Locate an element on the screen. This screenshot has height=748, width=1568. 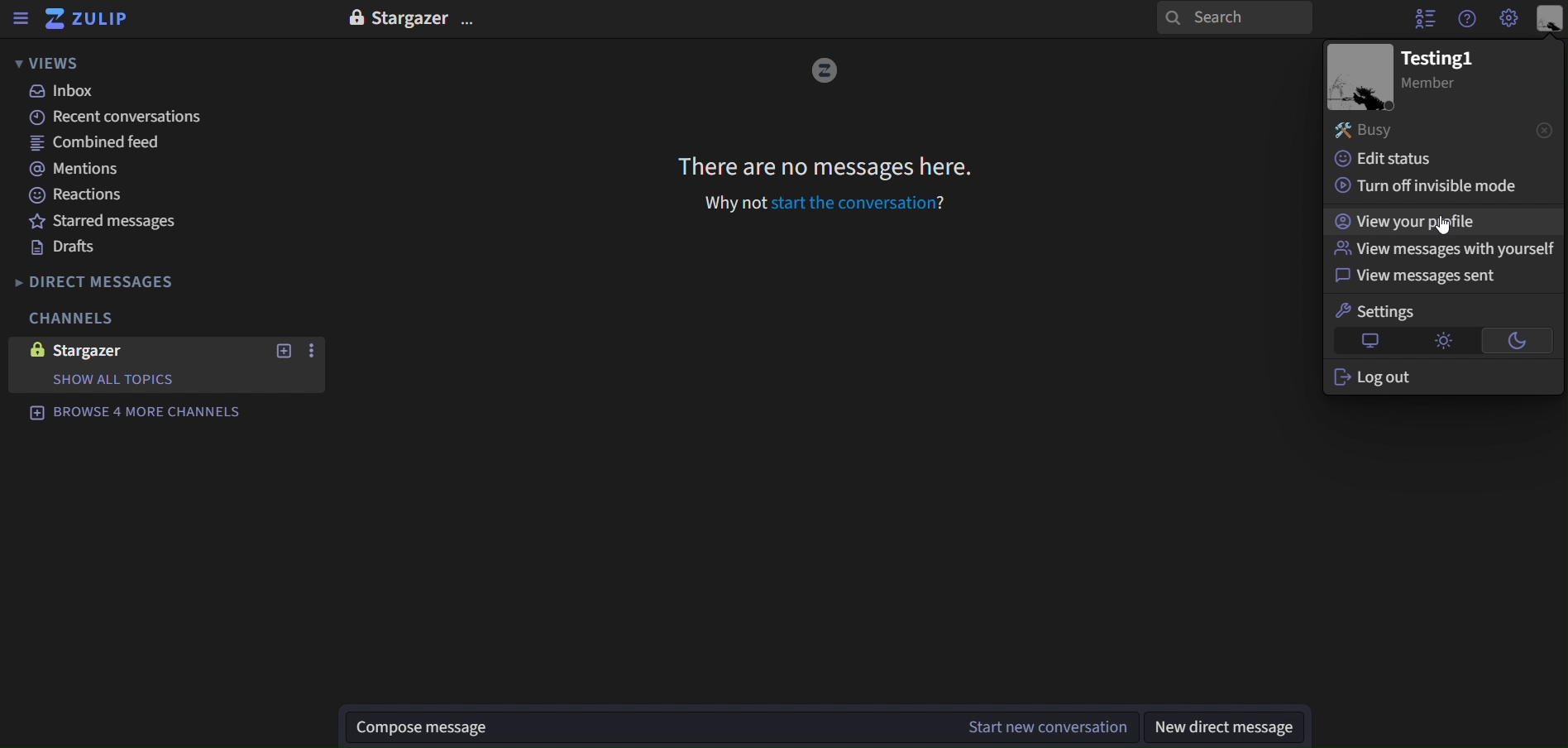
views is located at coordinates (46, 65).